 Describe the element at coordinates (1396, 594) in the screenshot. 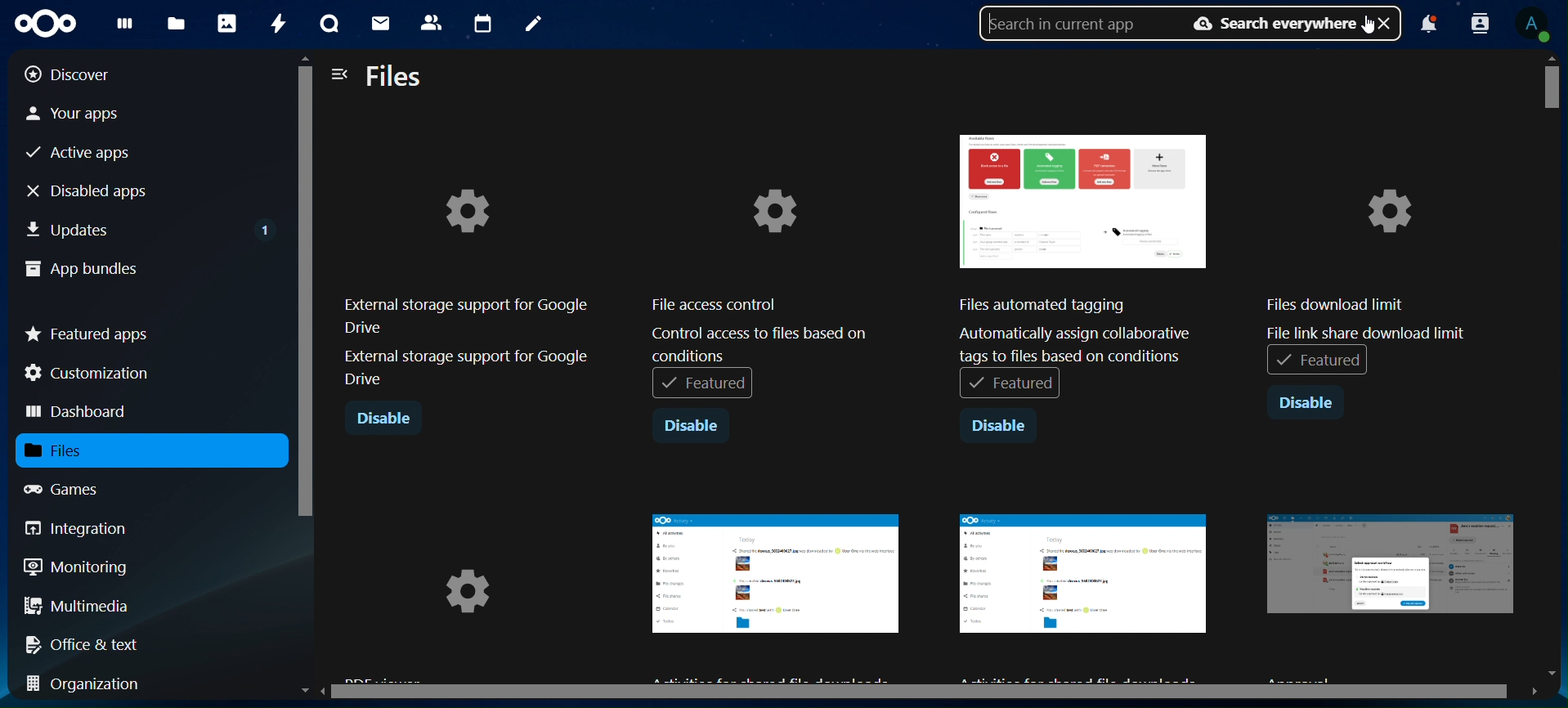

I see `image` at that location.